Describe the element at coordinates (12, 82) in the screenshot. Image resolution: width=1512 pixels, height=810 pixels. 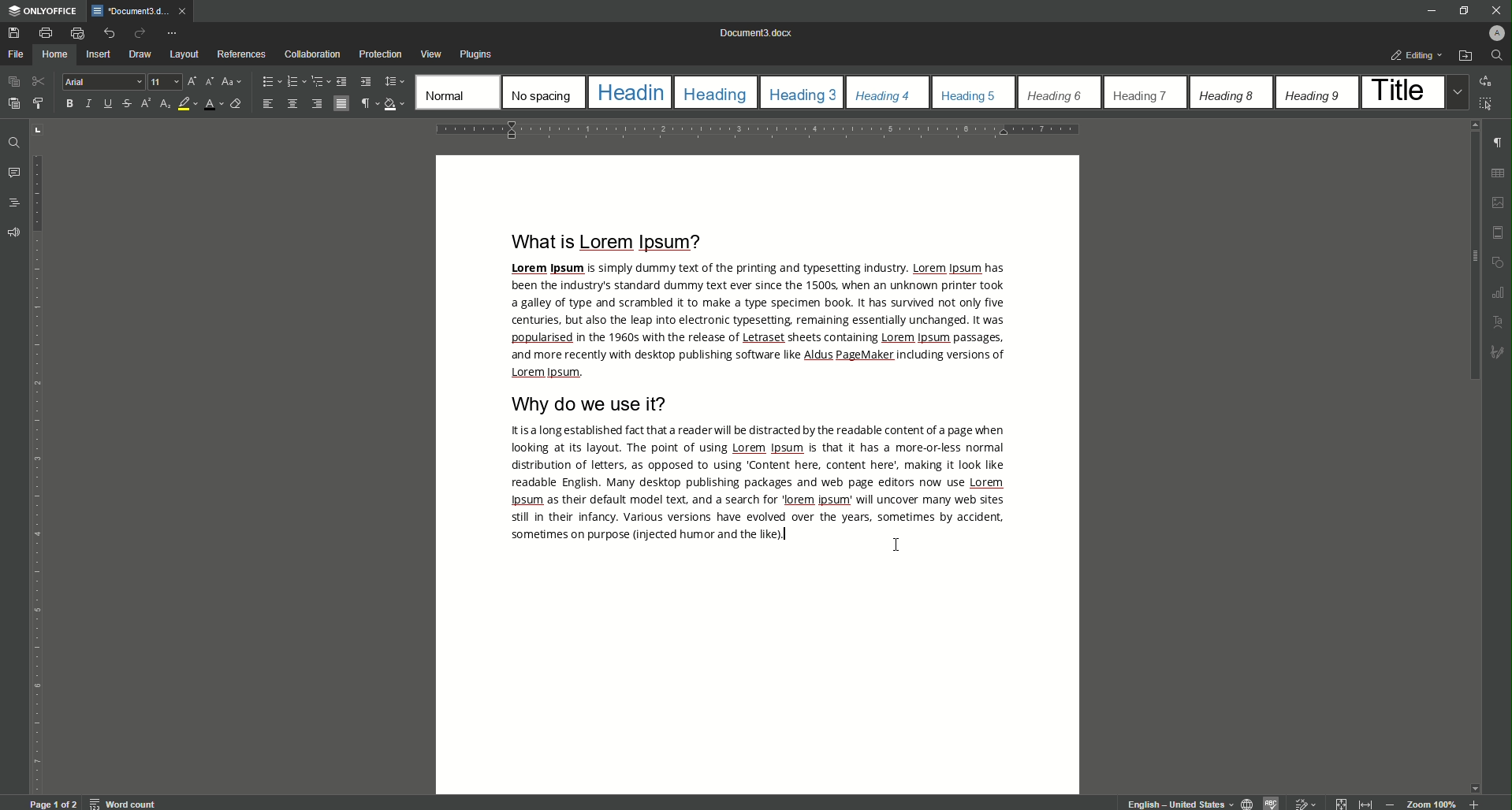
I see `Copy` at that location.